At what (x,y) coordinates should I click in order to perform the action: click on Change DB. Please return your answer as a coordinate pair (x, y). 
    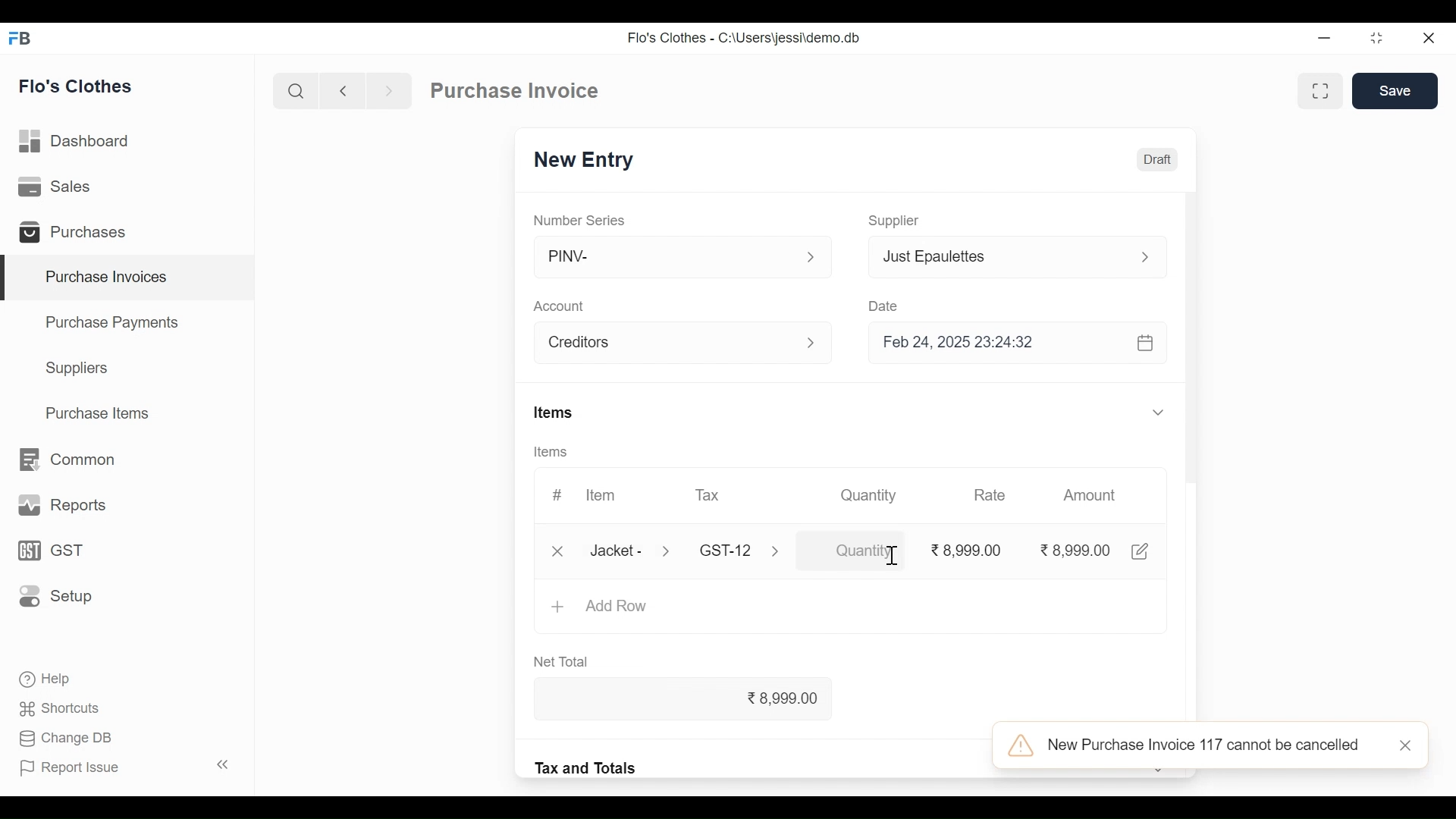
    Looking at the image, I should click on (67, 738).